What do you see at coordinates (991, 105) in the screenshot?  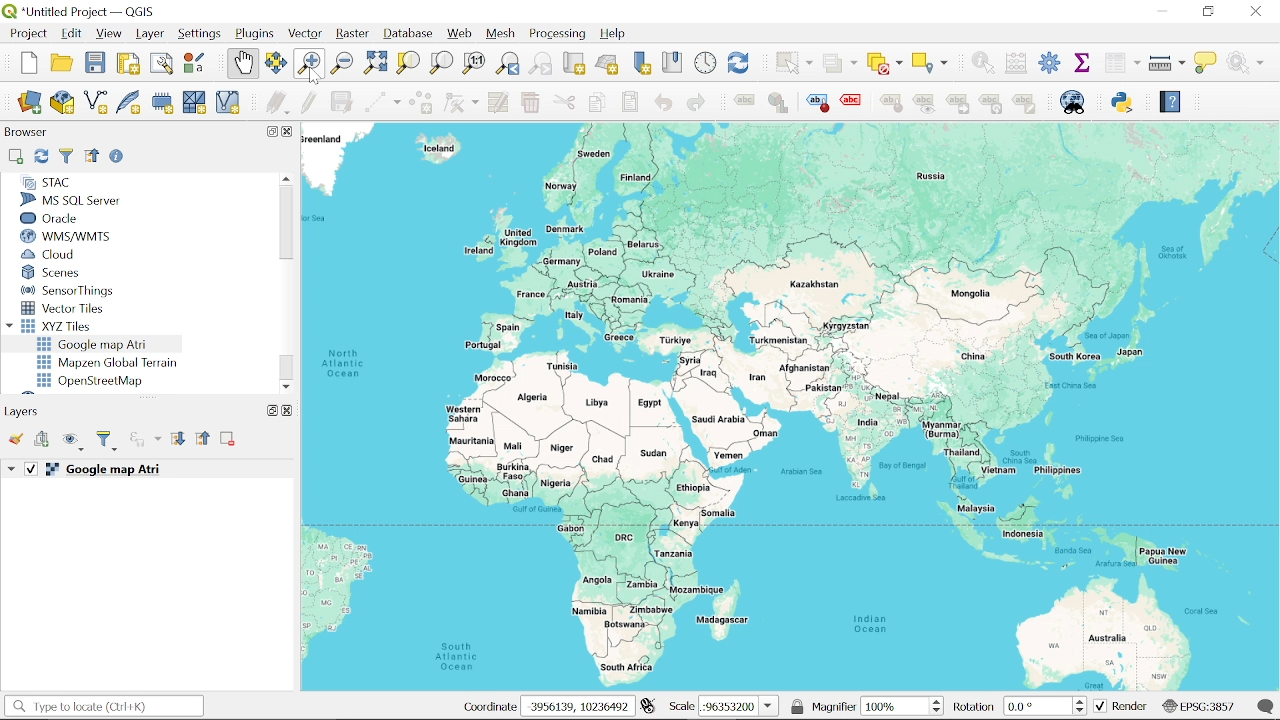 I see `Rotate a label` at bounding box center [991, 105].